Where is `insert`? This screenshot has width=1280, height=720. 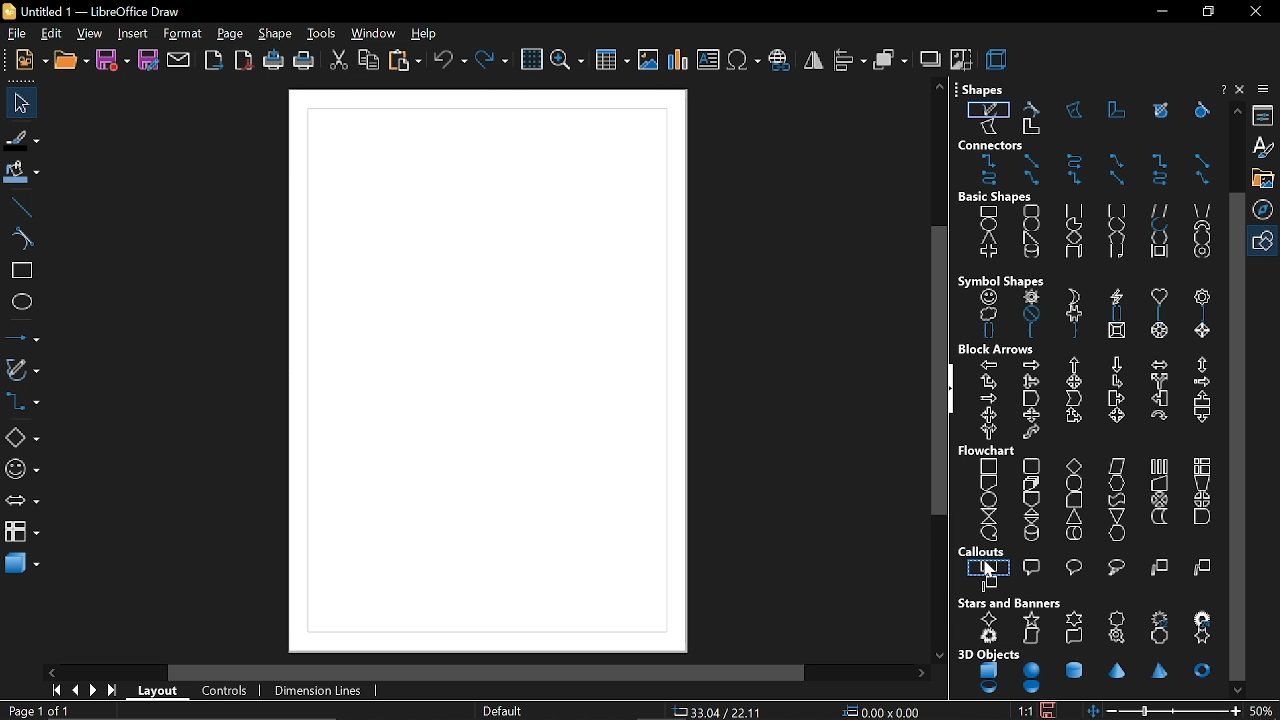
insert is located at coordinates (134, 34).